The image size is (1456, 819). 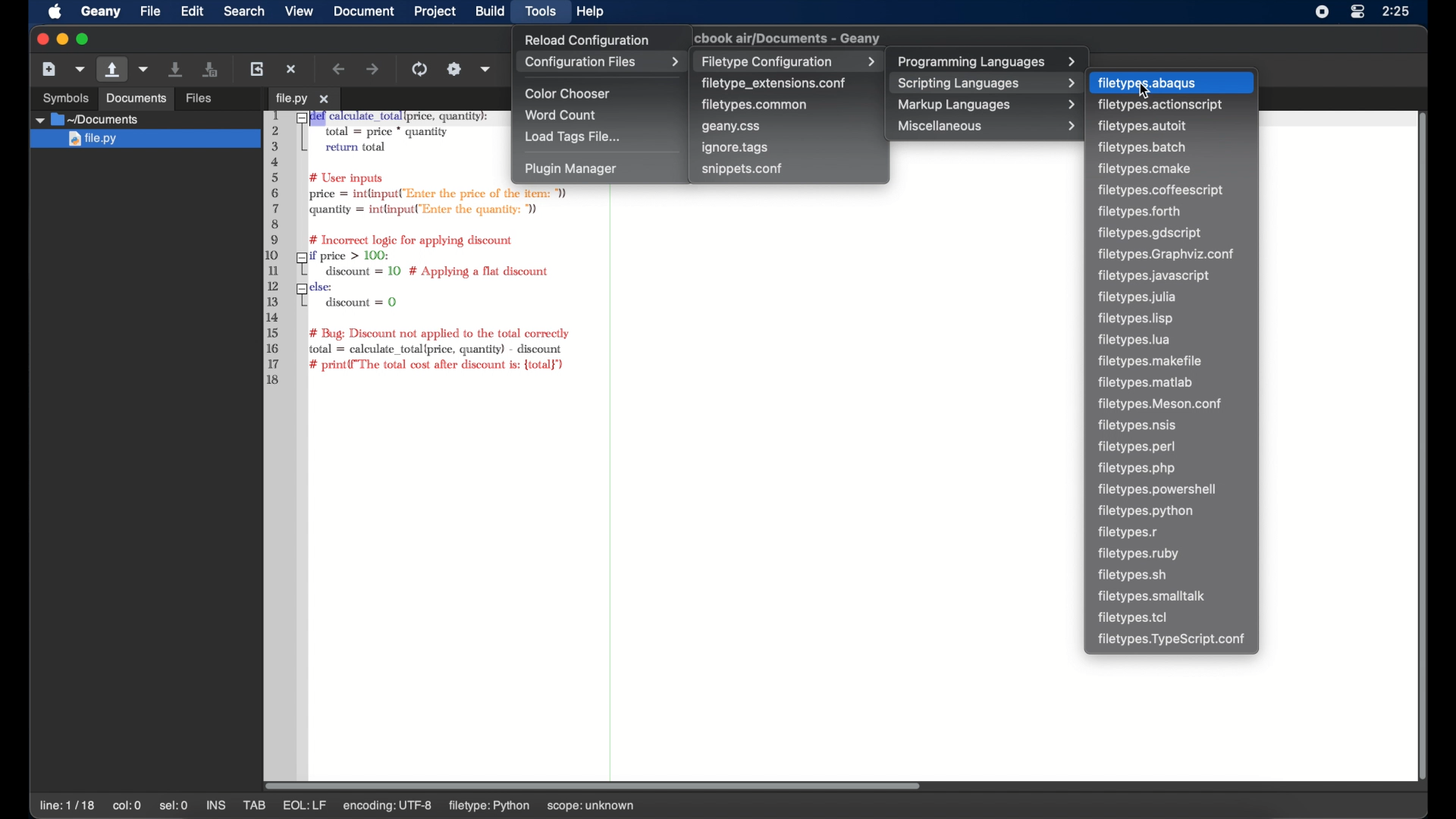 I want to click on close, so click(x=40, y=39).